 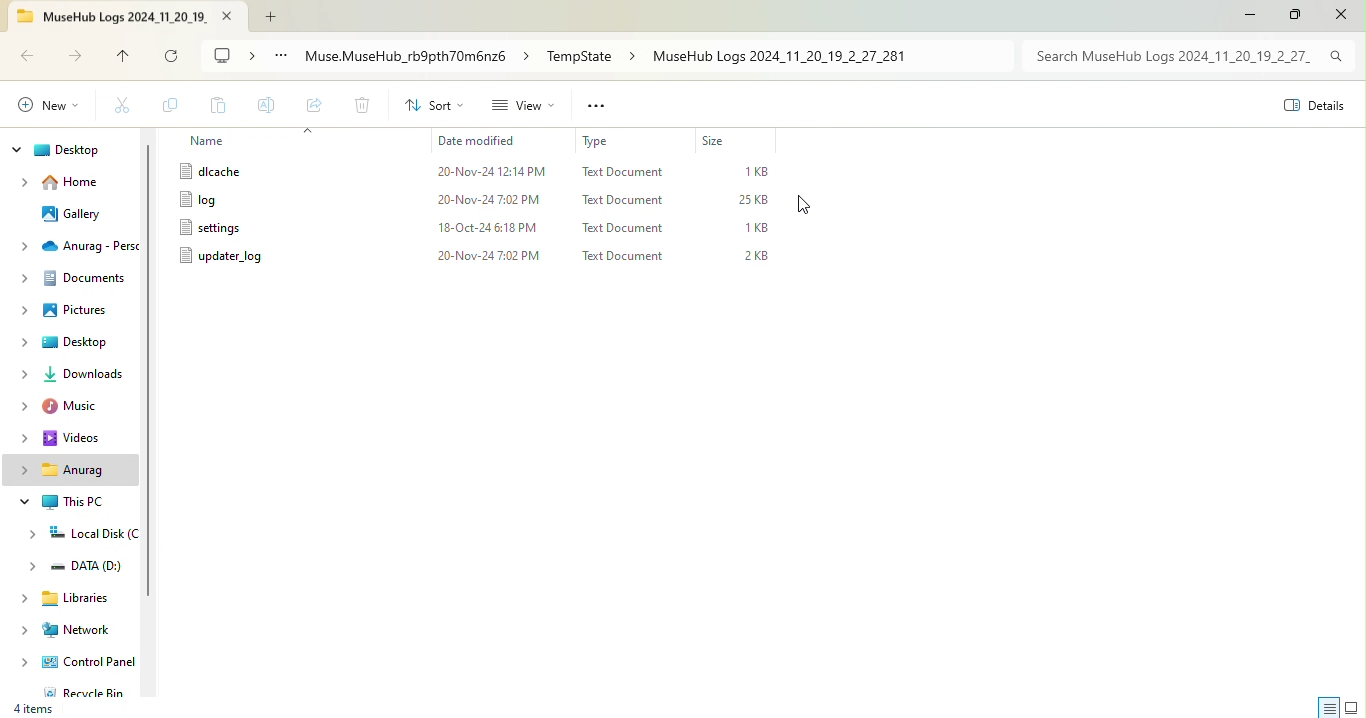 What do you see at coordinates (1188, 53) in the screenshot?
I see `Search bar` at bounding box center [1188, 53].